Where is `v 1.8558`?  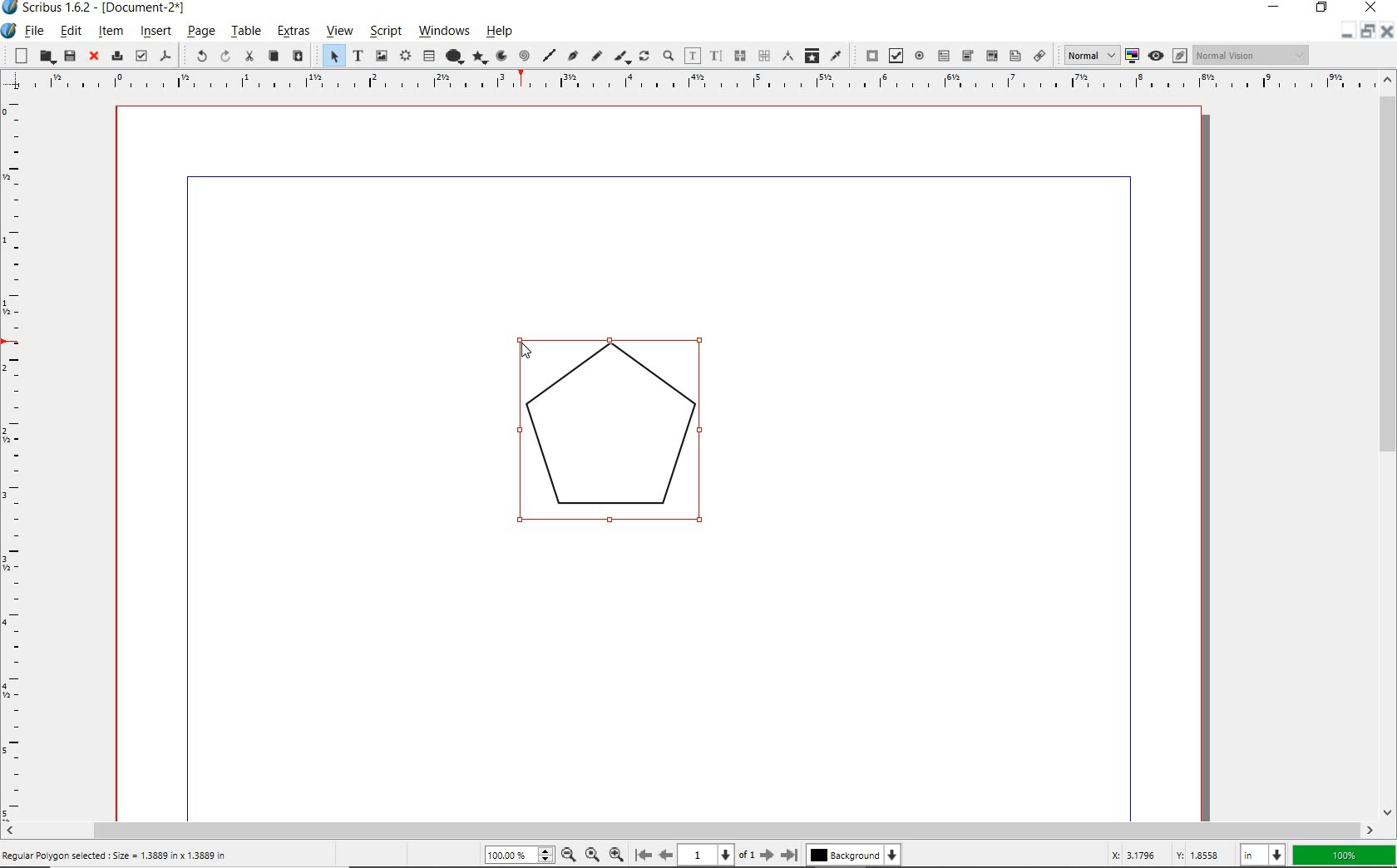
v 1.8558 is located at coordinates (1198, 852).